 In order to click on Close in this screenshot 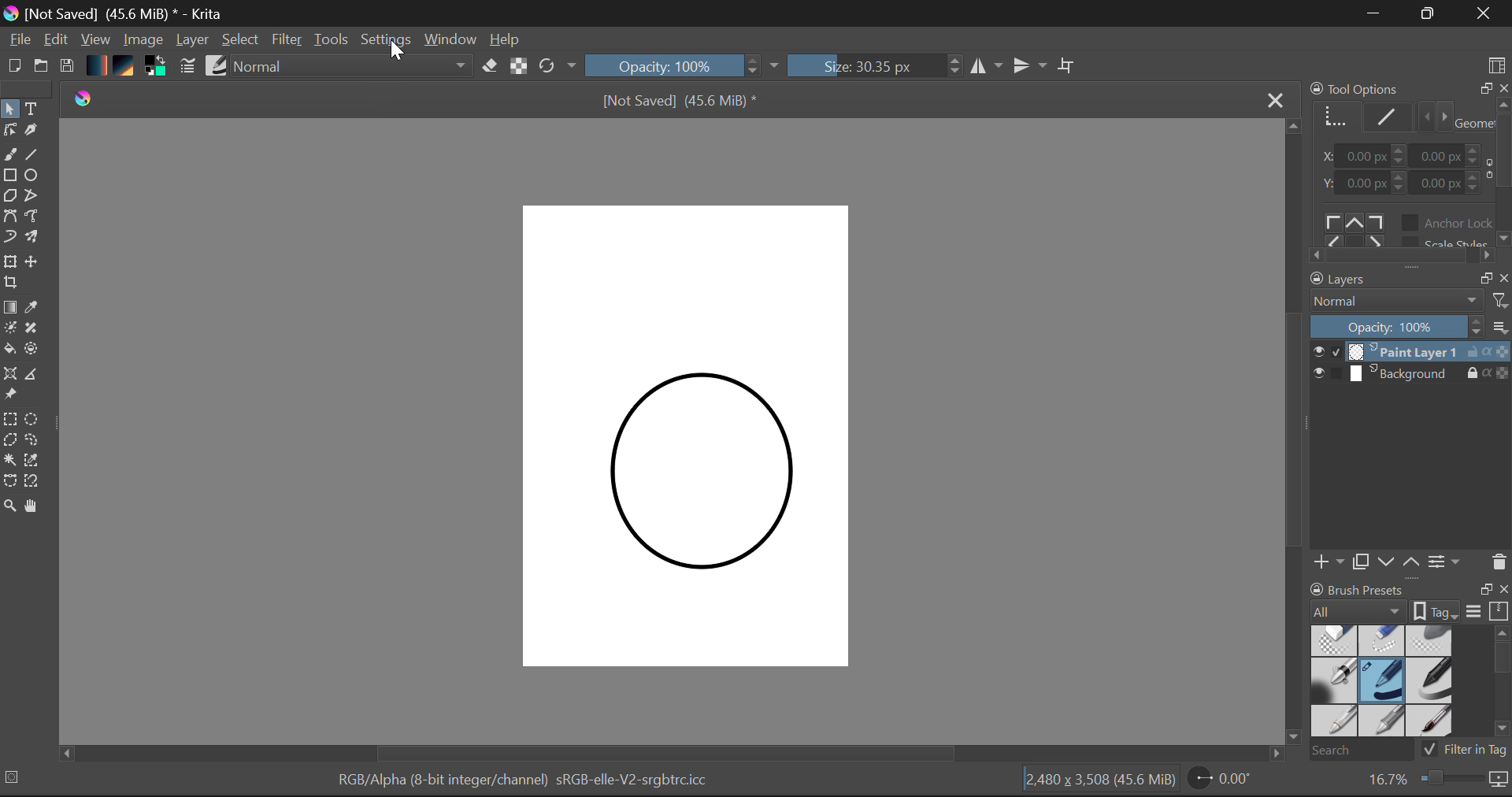, I will do `click(1275, 99)`.